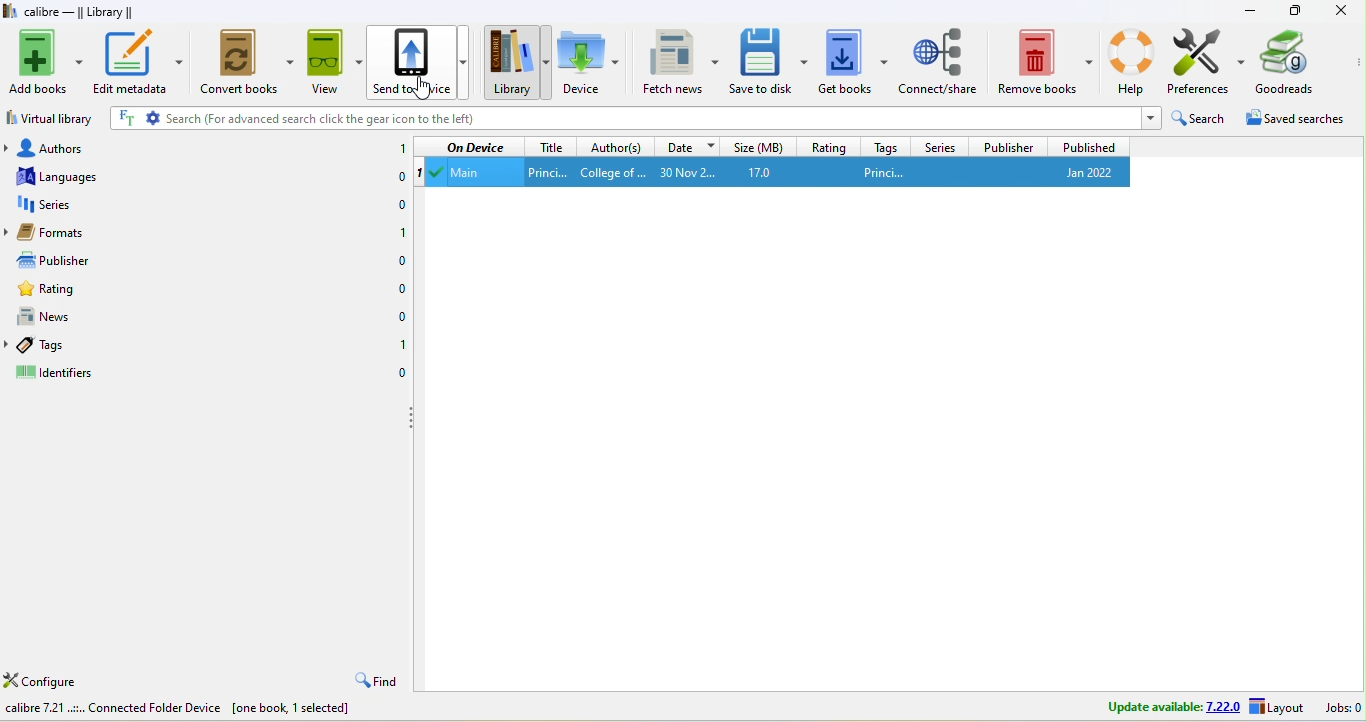  Describe the element at coordinates (332, 65) in the screenshot. I see `view` at that location.